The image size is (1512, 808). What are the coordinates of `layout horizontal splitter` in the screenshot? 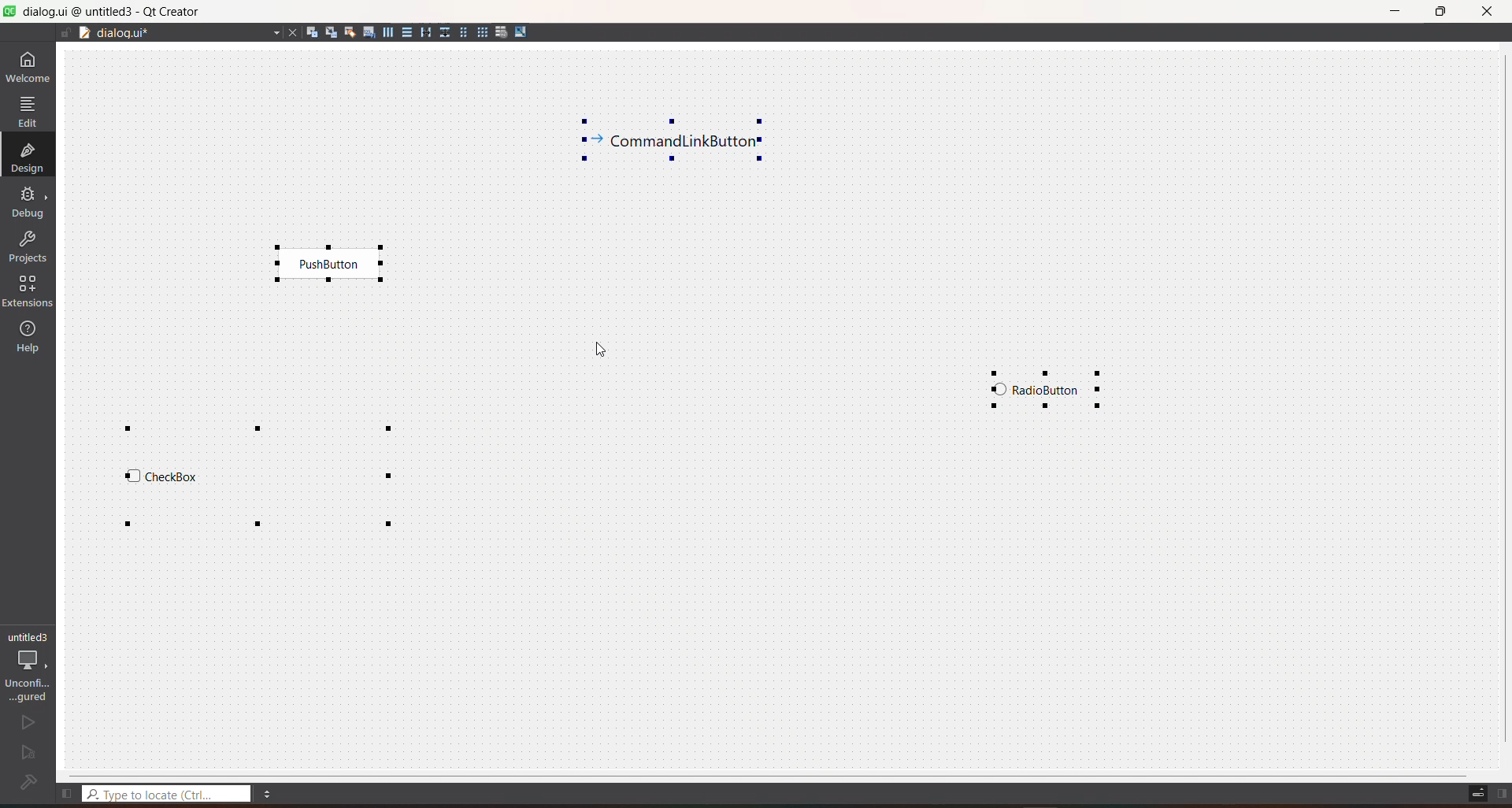 It's located at (423, 32).